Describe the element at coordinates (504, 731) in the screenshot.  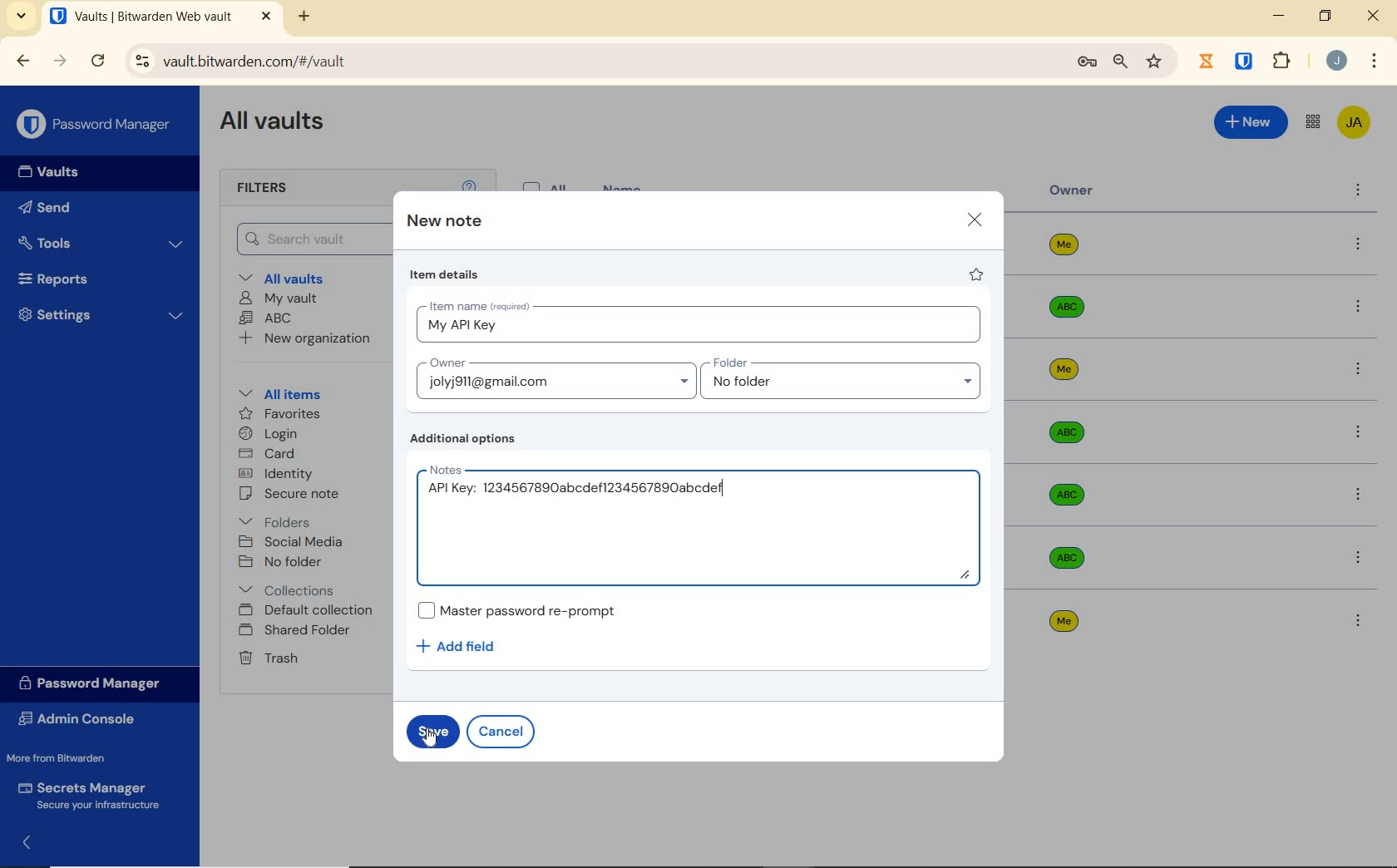
I see `cancel` at that location.